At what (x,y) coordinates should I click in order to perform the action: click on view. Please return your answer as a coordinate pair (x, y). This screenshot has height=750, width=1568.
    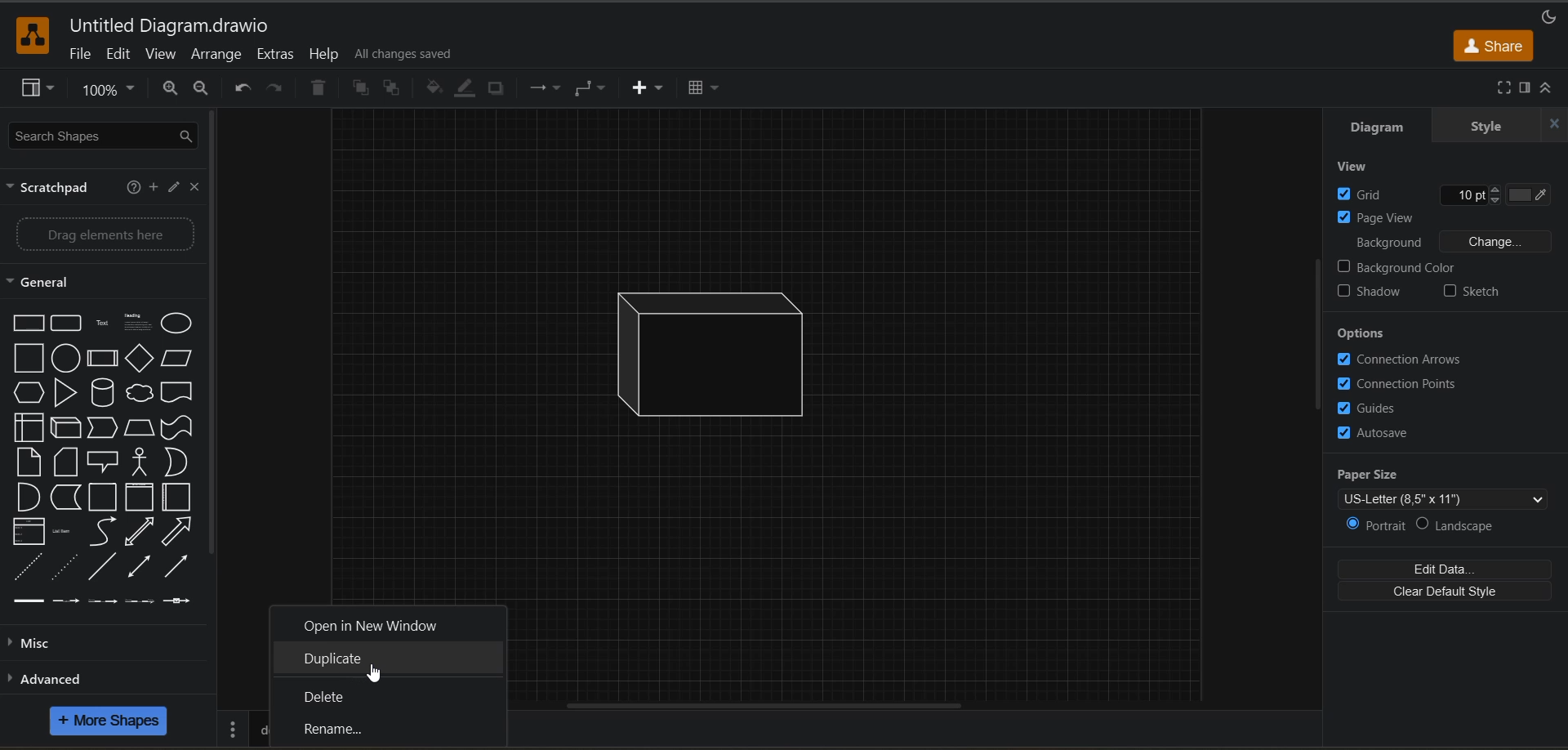
    Looking at the image, I should click on (1357, 167).